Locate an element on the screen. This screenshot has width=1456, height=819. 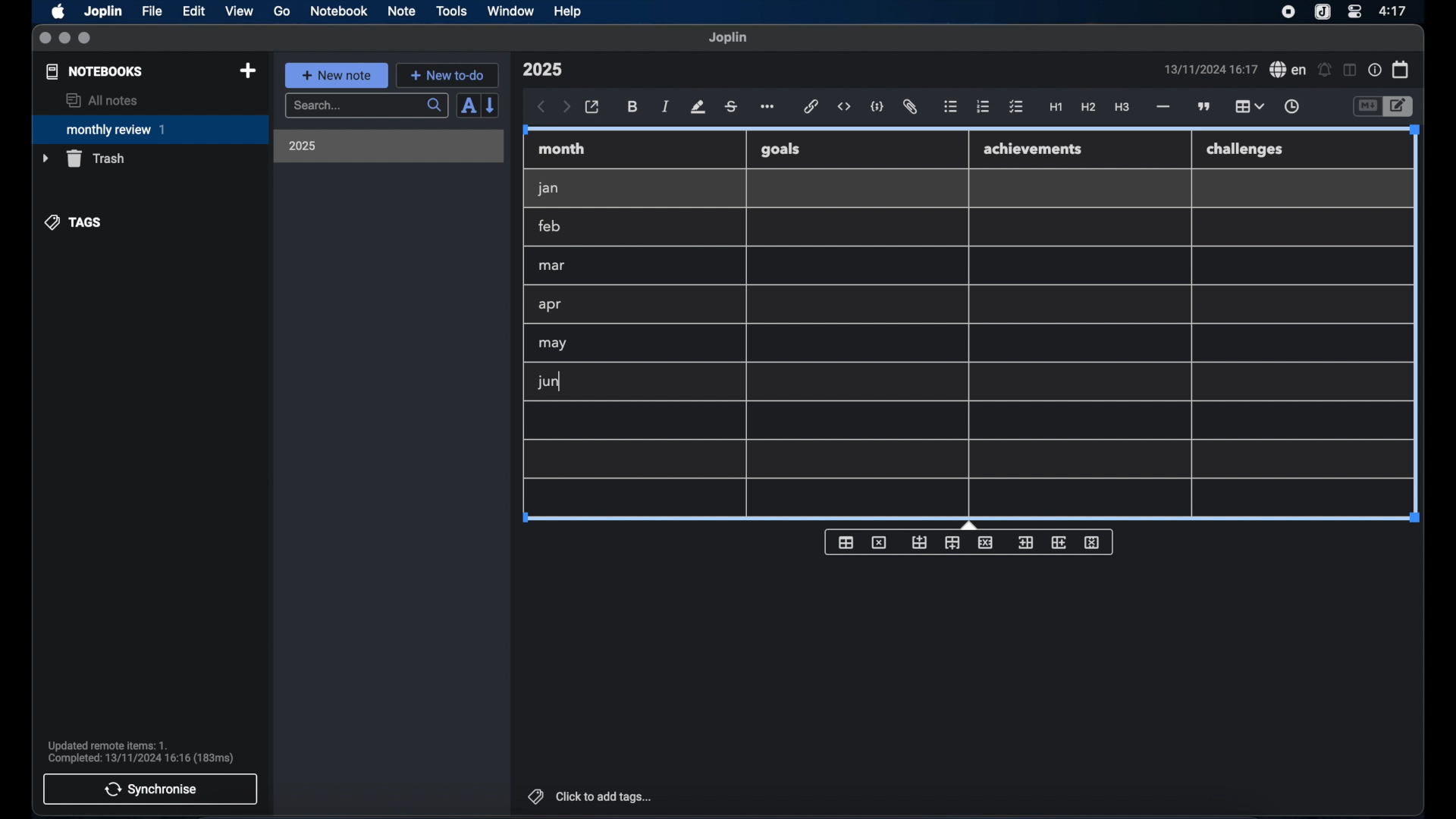
insert row before is located at coordinates (920, 543).